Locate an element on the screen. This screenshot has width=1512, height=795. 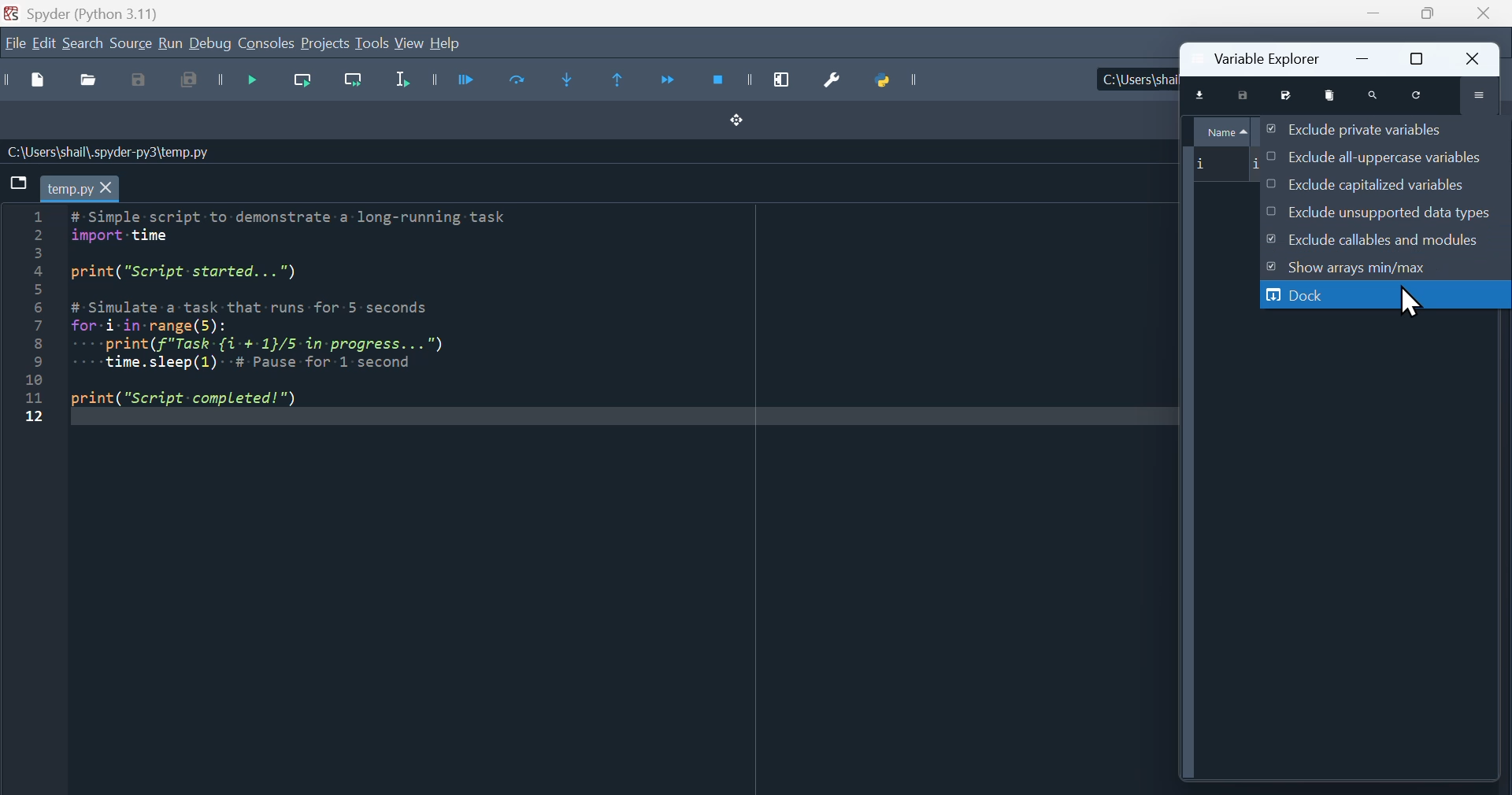
Run current line and go to the next one is located at coordinates (352, 85).